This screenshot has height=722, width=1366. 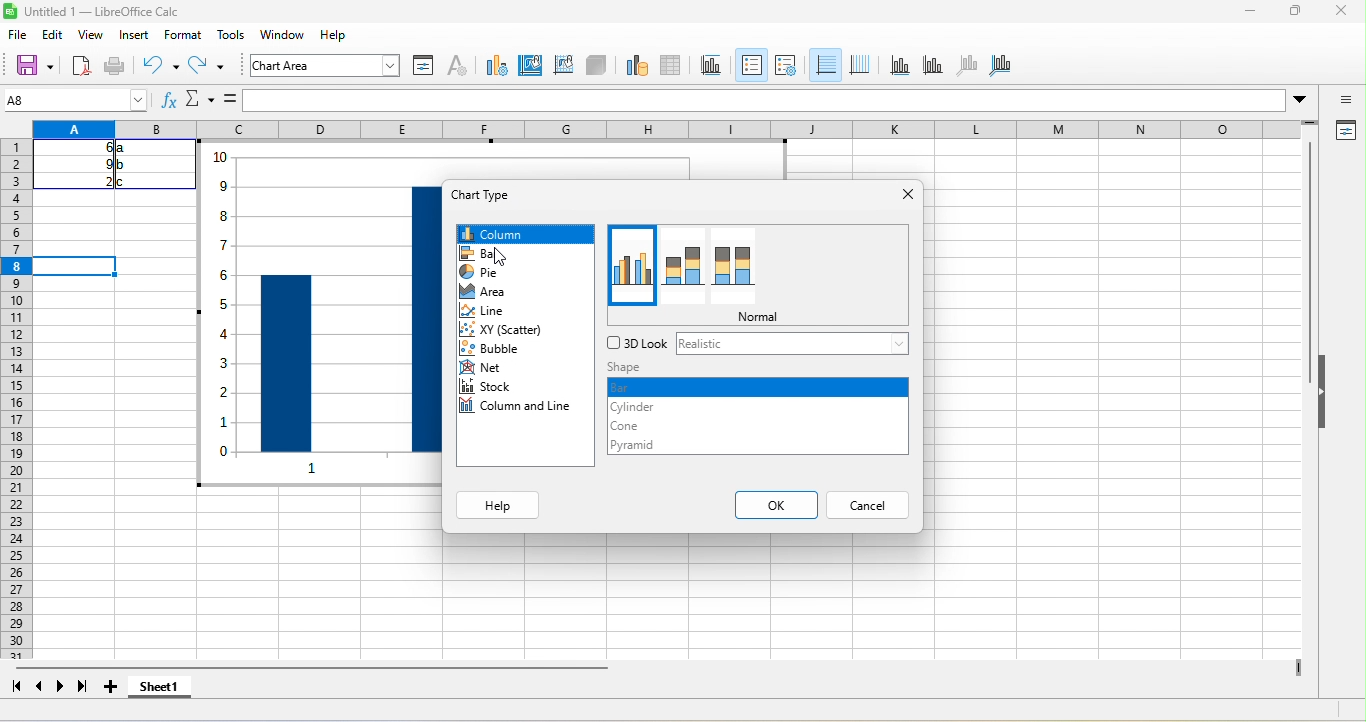 What do you see at coordinates (1285, 14) in the screenshot?
I see `maximize` at bounding box center [1285, 14].